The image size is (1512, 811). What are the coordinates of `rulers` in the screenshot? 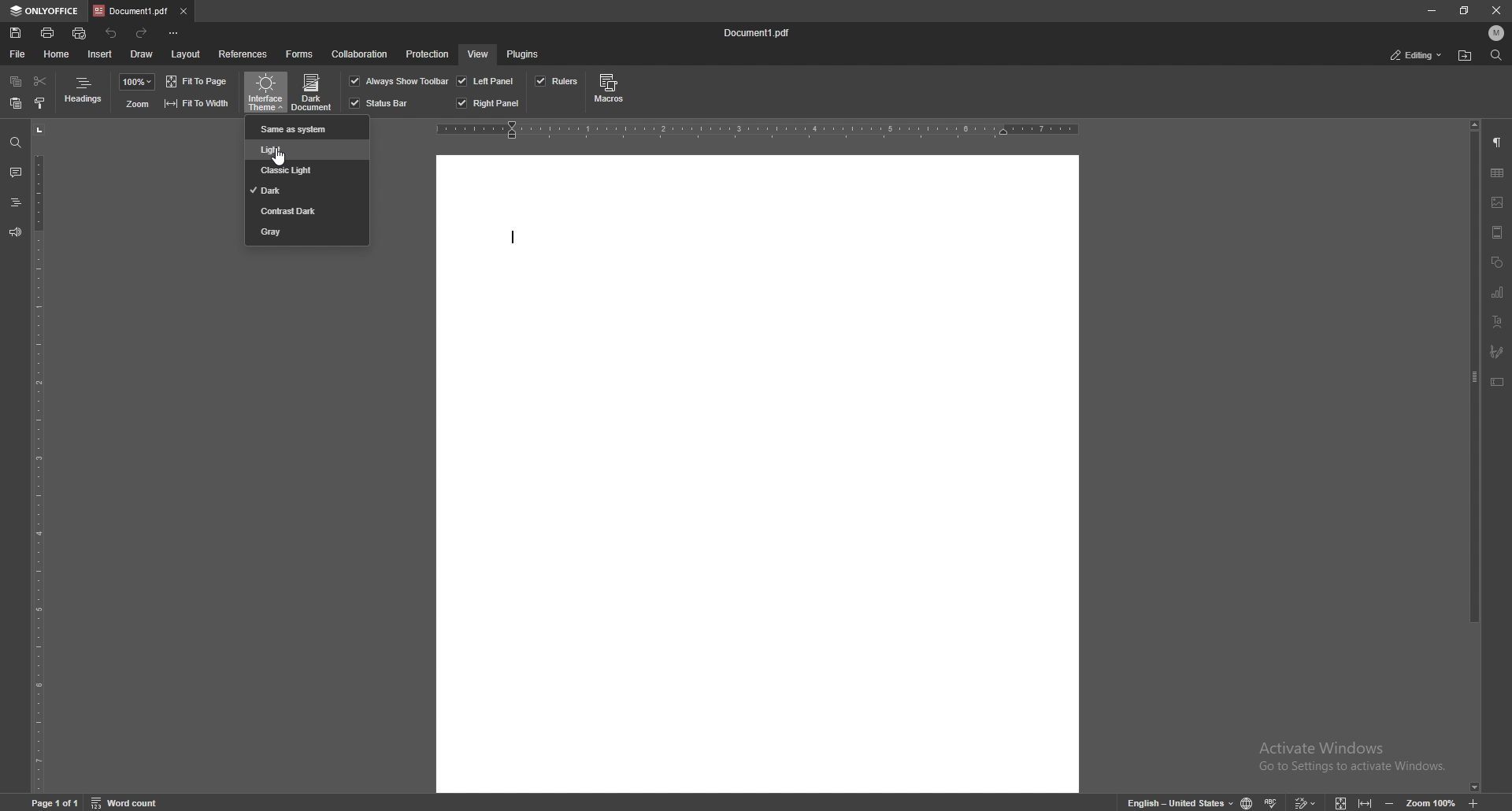 It's located at (556, 81).